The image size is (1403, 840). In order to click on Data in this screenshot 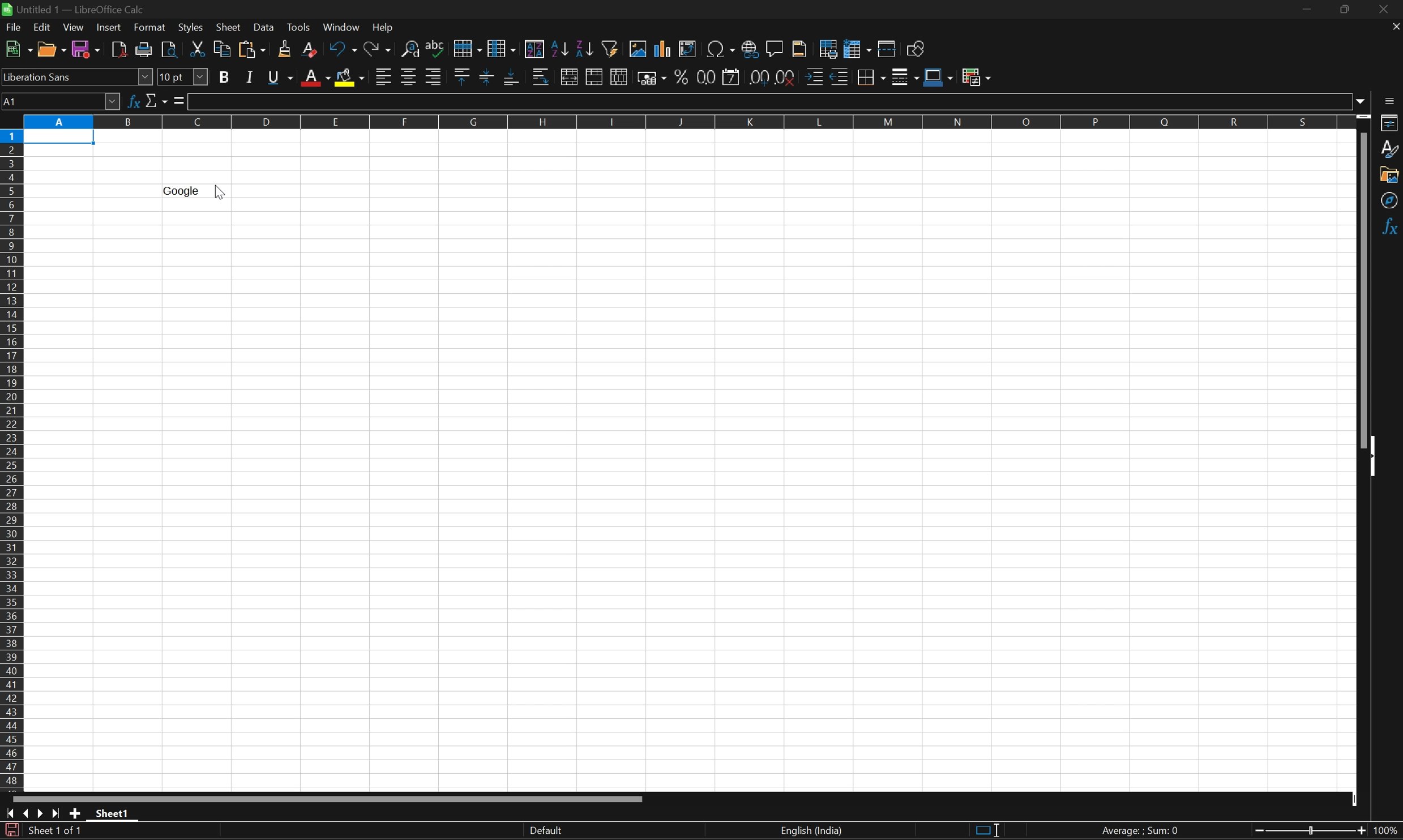, I will do `click(266, 28)`.